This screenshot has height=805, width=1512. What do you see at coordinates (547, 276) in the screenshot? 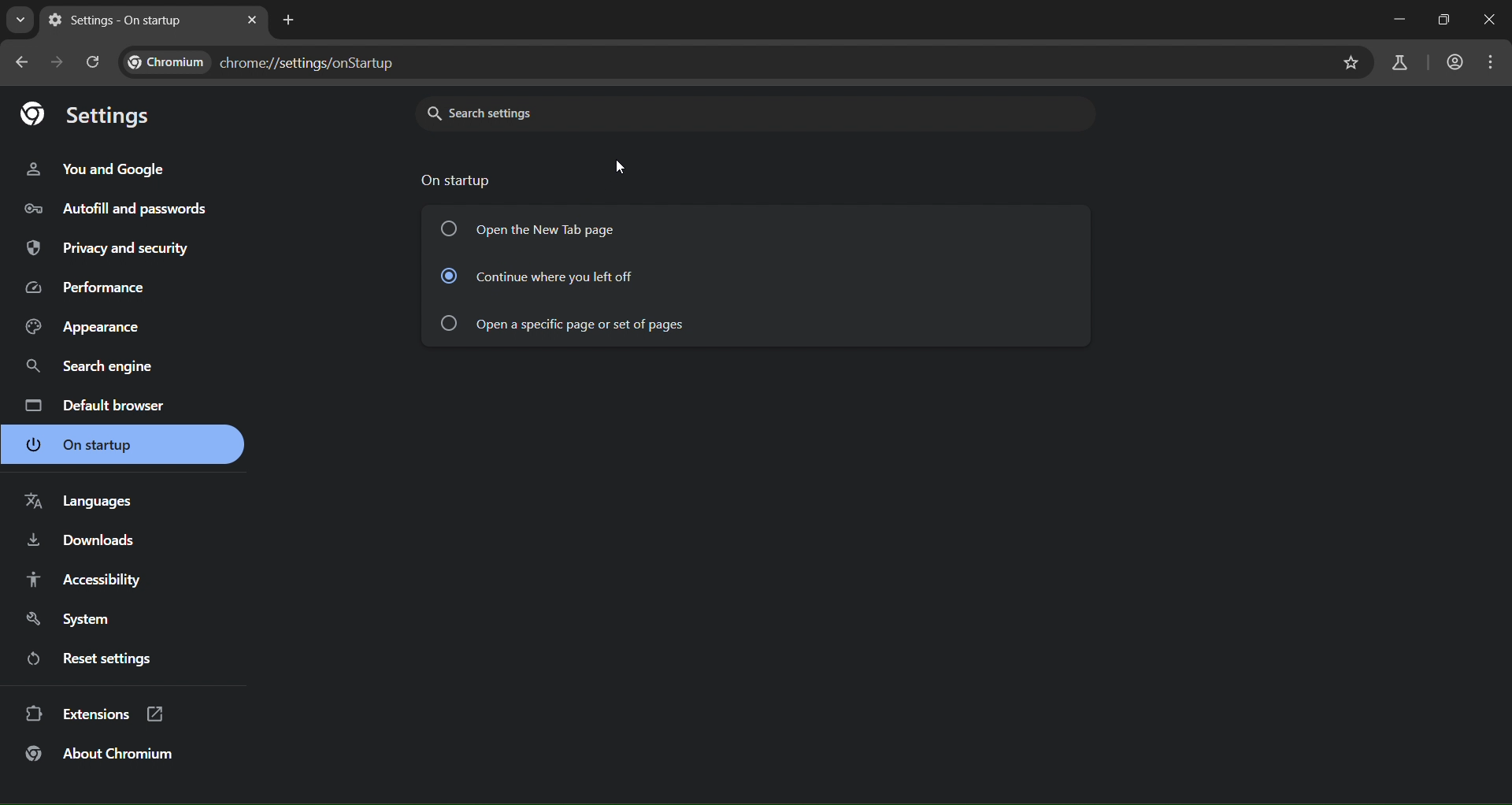
I see `continue where you left off` at bounding box center [547, 276].